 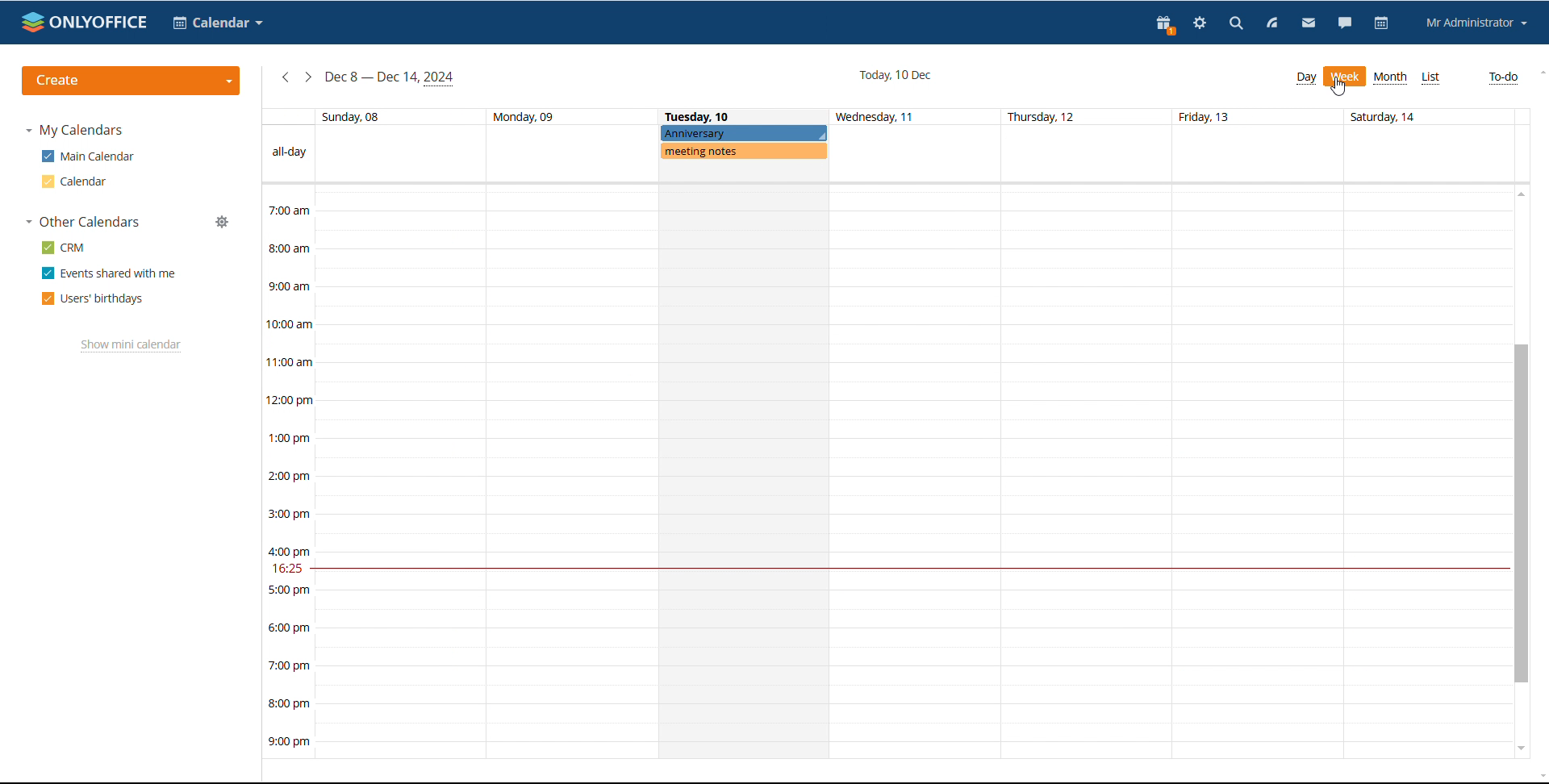 I want to click on present, so click(x=1163, y=24).